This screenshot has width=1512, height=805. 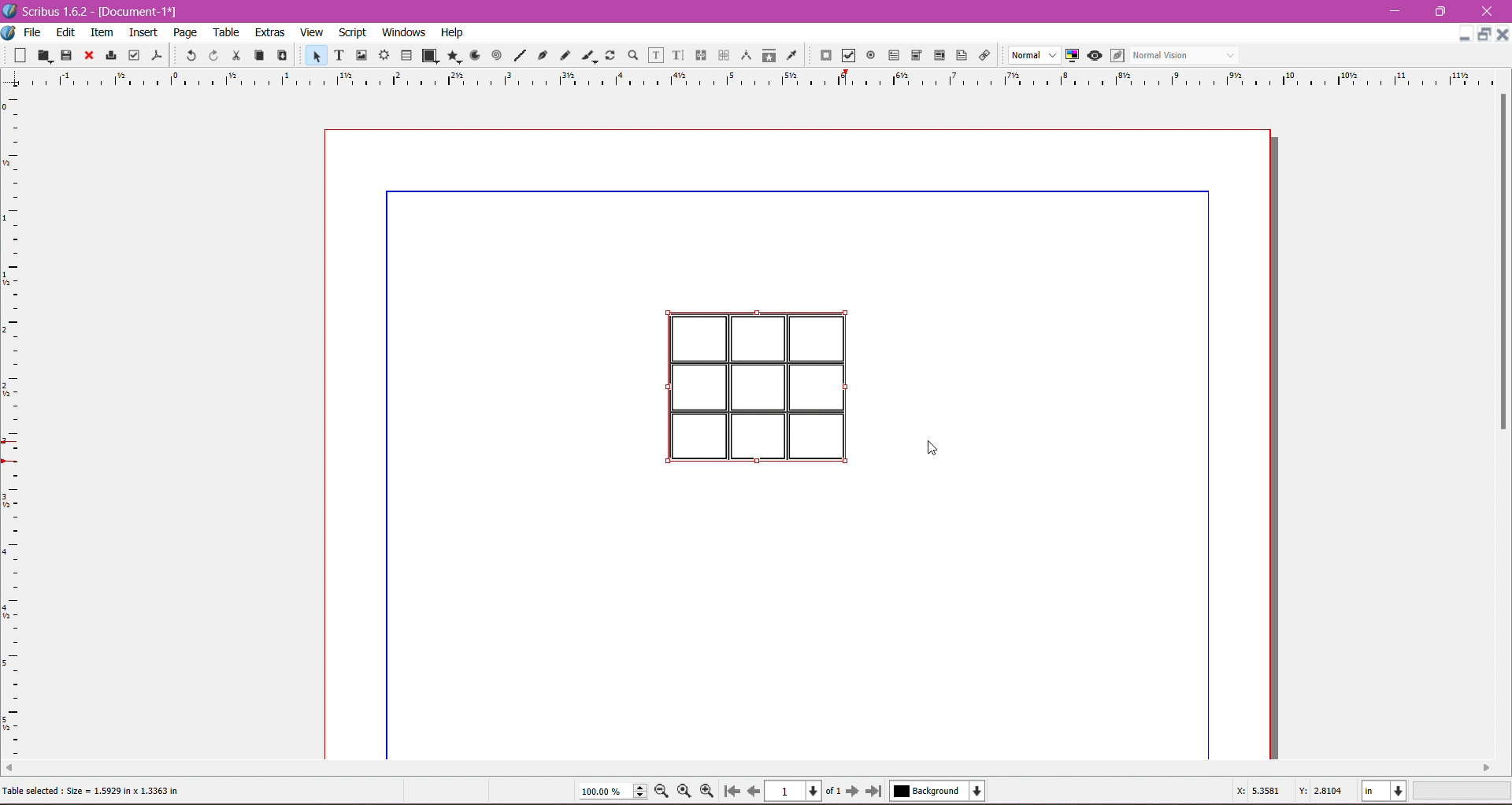 What do you see at coordinates (959, 53) in the screenshot?
I see `Text Annotation` at bounding box center [959, 53].